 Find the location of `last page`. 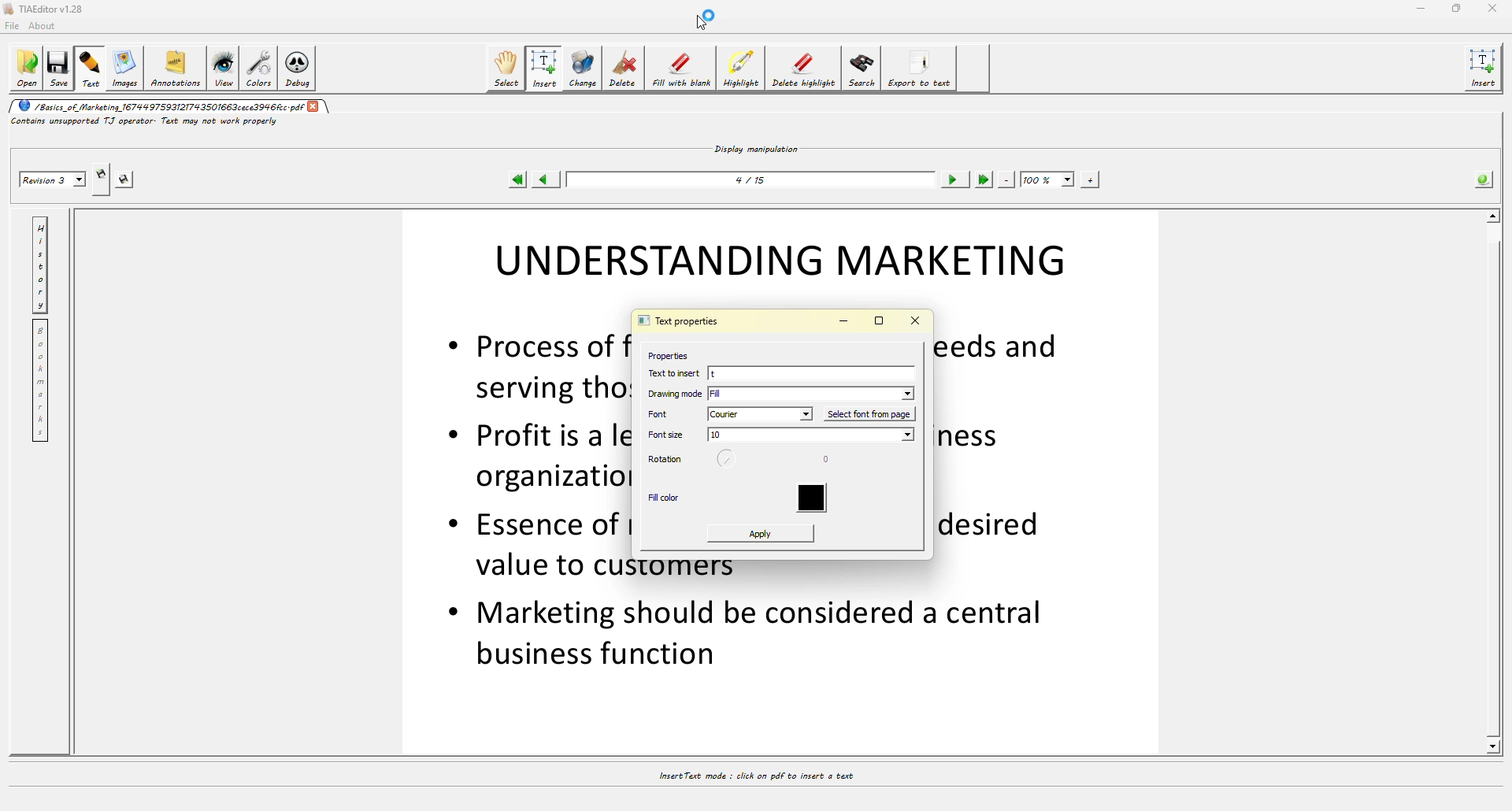

last page is located at coordinates (984, 180).